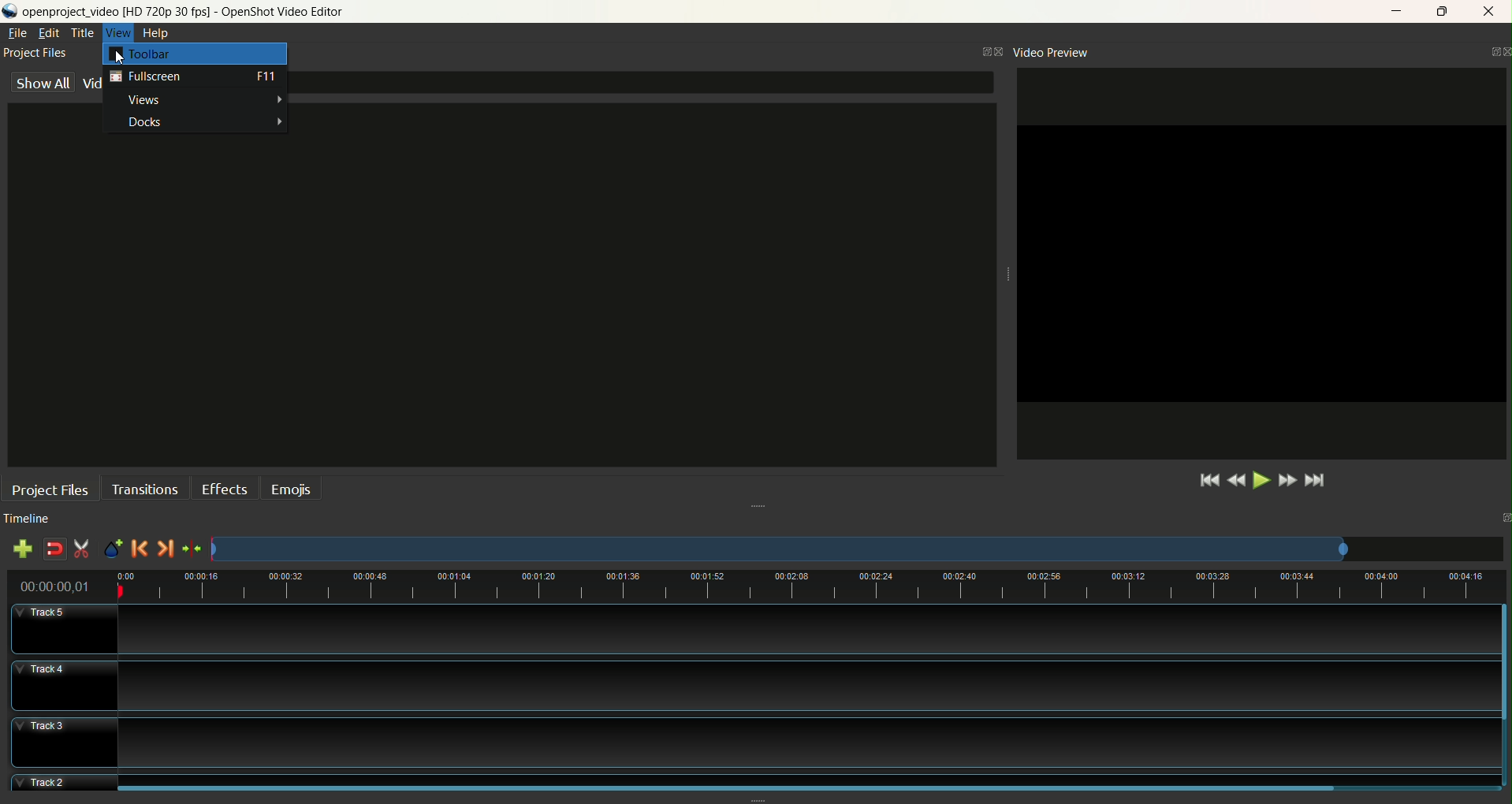  Describe the element at coordinates (1261, 482) in the screenshot. I see `play` at that location.